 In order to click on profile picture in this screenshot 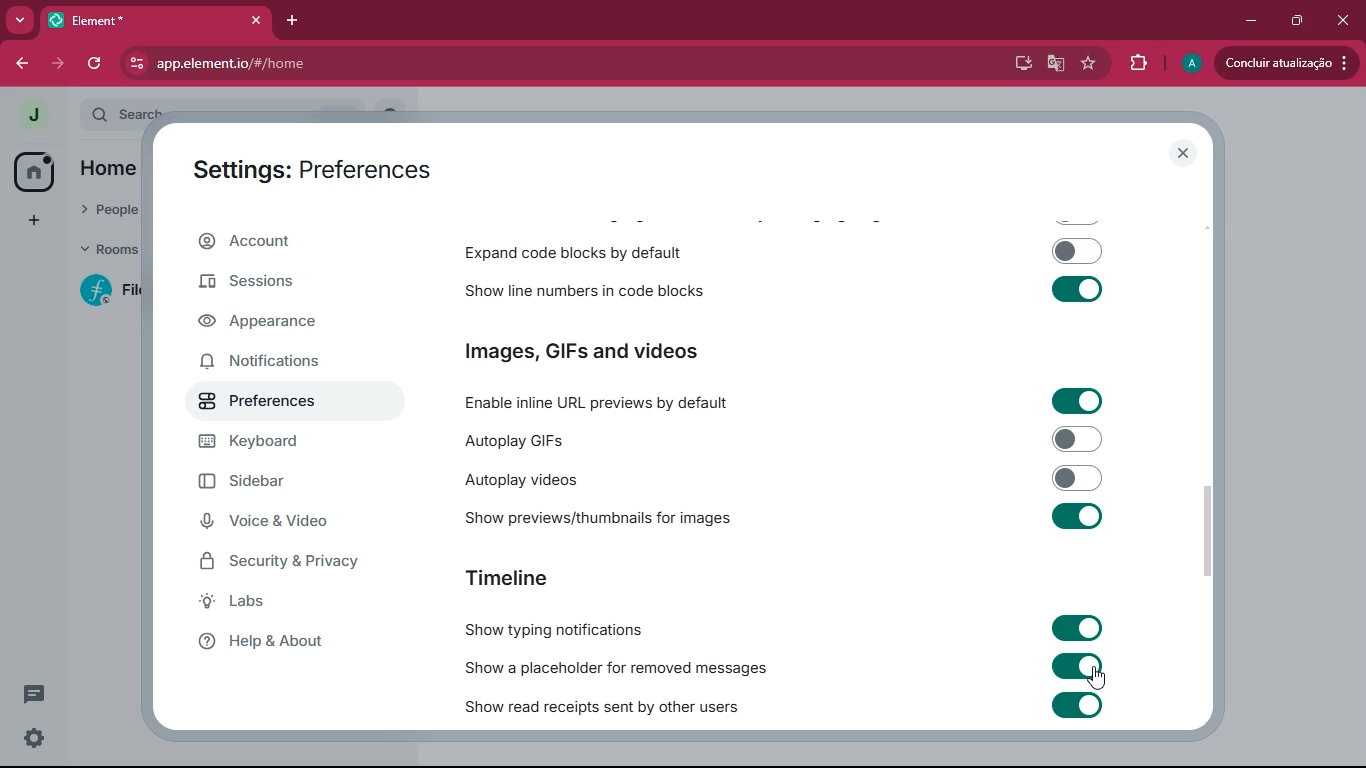, I will do `click(1191, 65)`.